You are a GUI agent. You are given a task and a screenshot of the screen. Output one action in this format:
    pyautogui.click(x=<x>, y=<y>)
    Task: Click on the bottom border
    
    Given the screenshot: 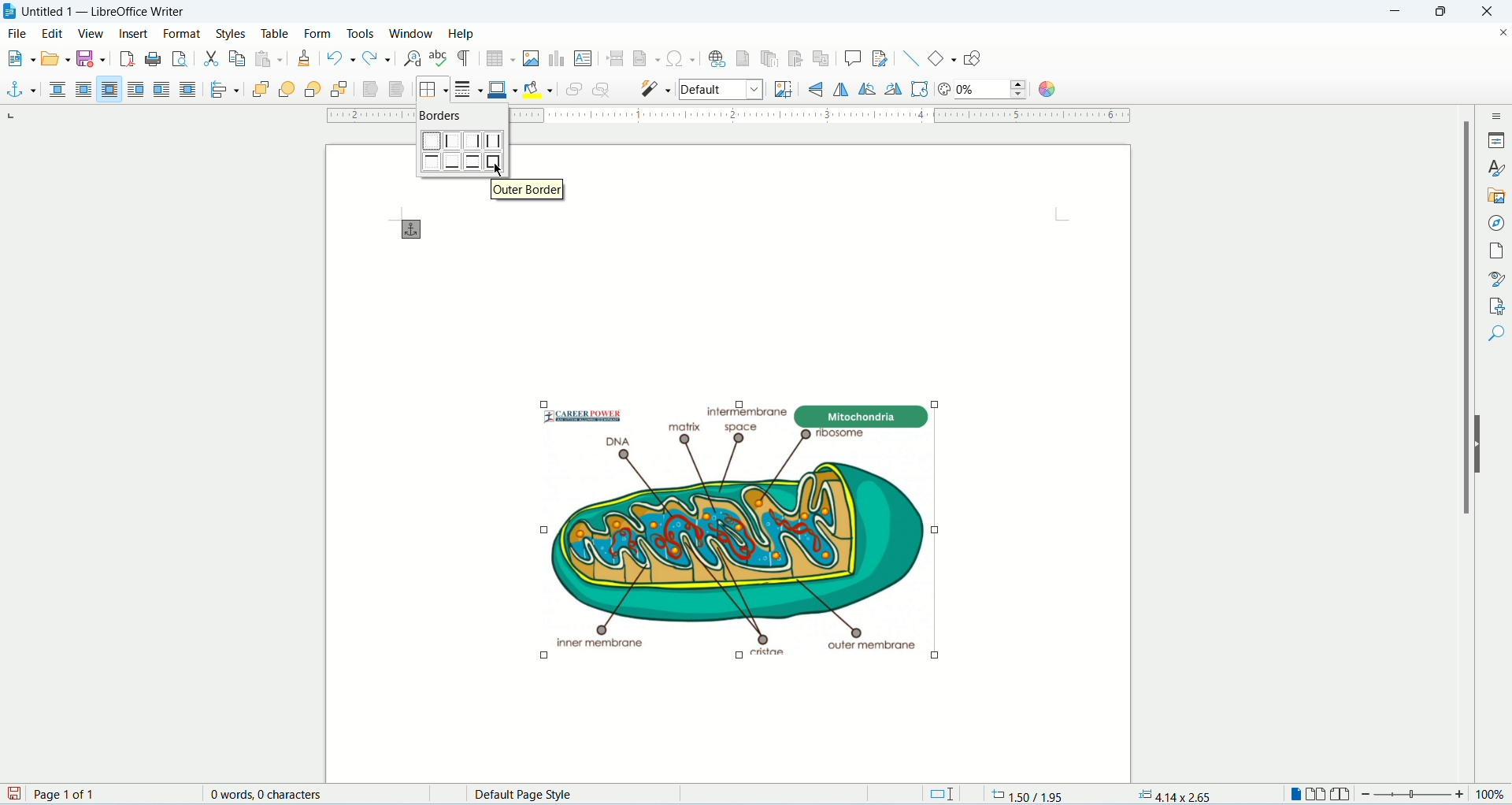 What is the action you would take?
    pyautogui.click(x=454, y=161)
    